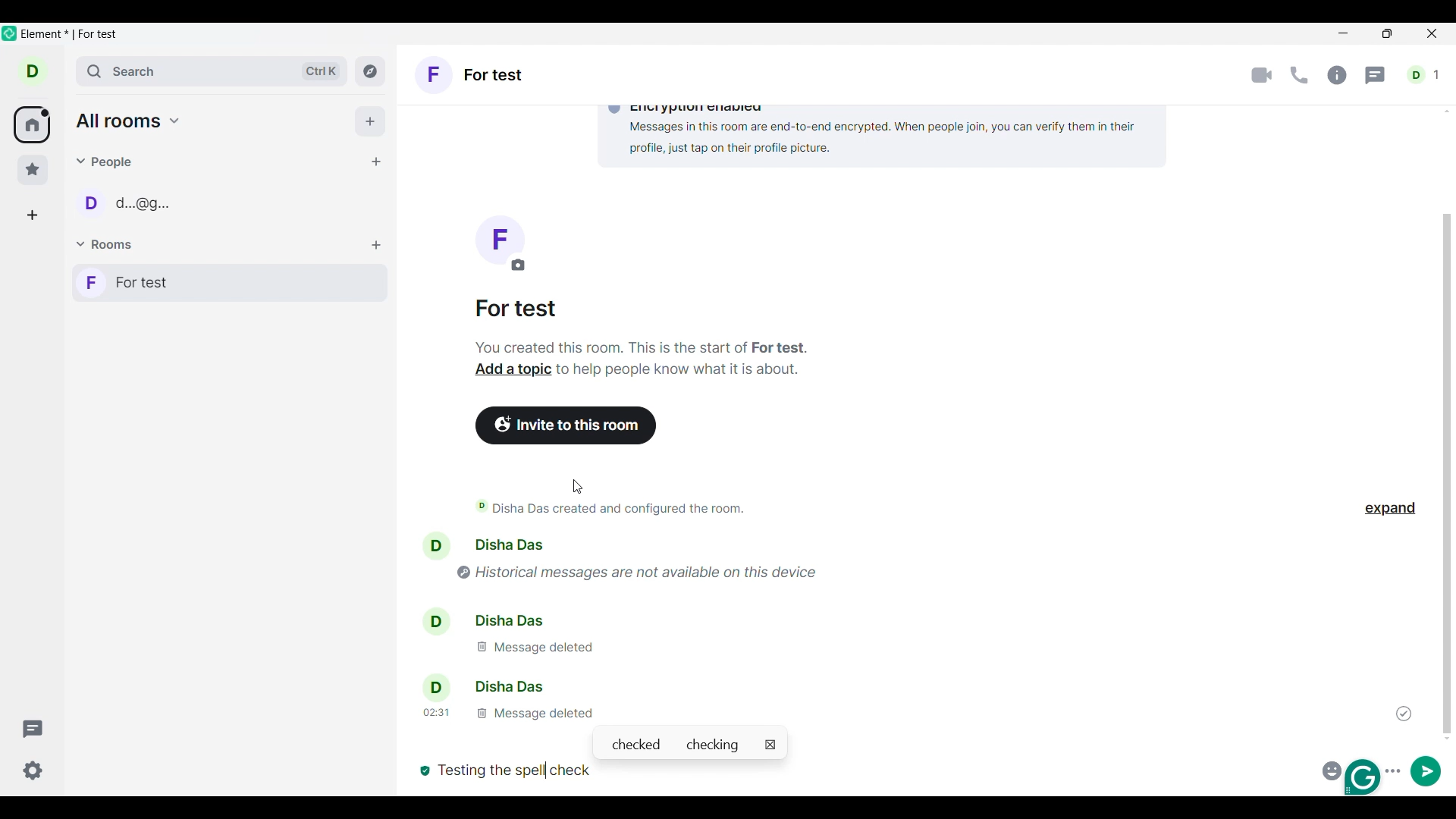 Image resolution: width=1456 pixels, height=819 pixels. What do you see at coordinates (213, 71) in the screenshot?
I see `Search room` at bounding box center [213, 71].